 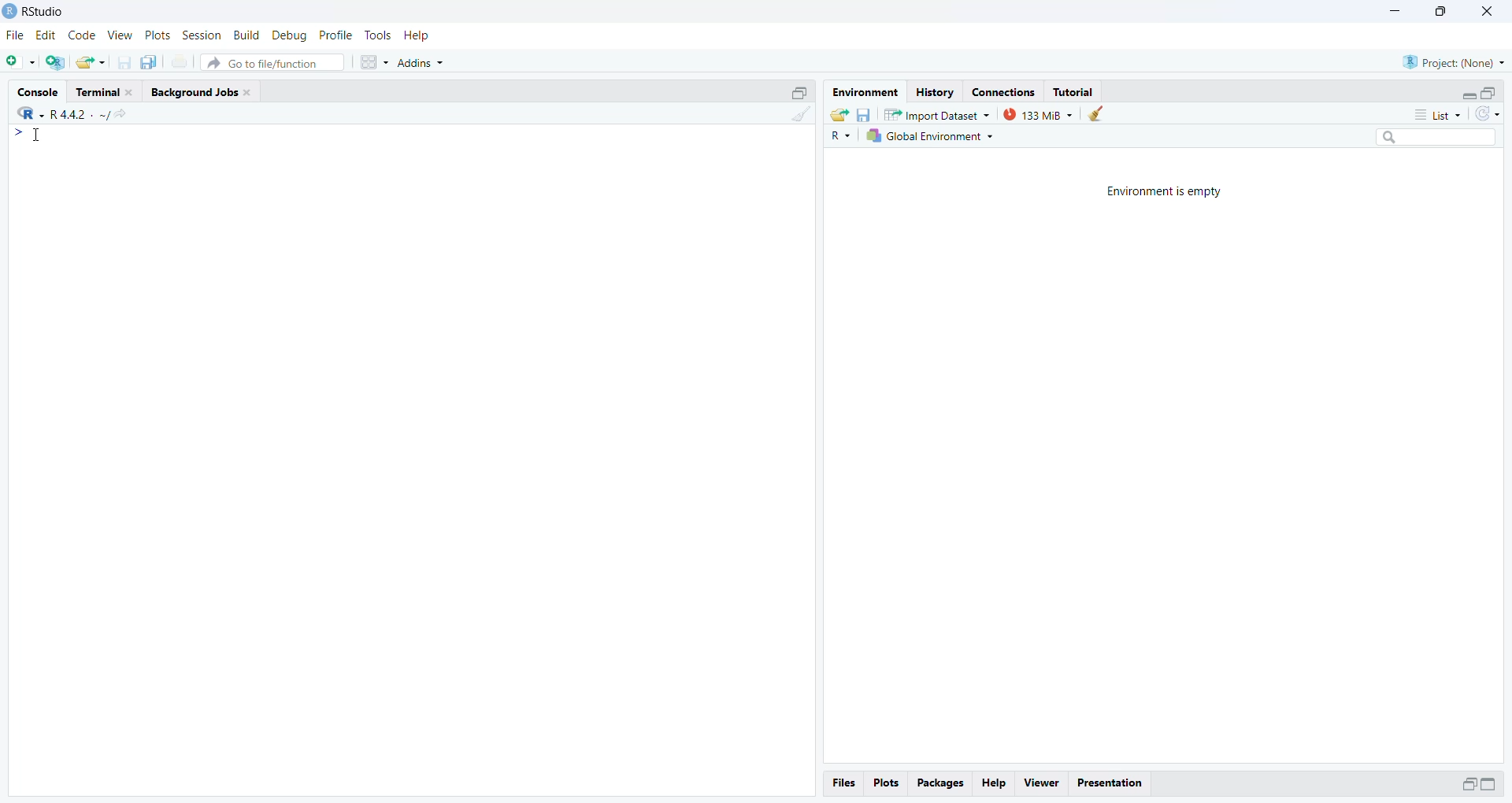 What do you see at coordinates (1159, 194) in the screenshot?
I see `Environment is empty` at bounding box center [1159, 194].